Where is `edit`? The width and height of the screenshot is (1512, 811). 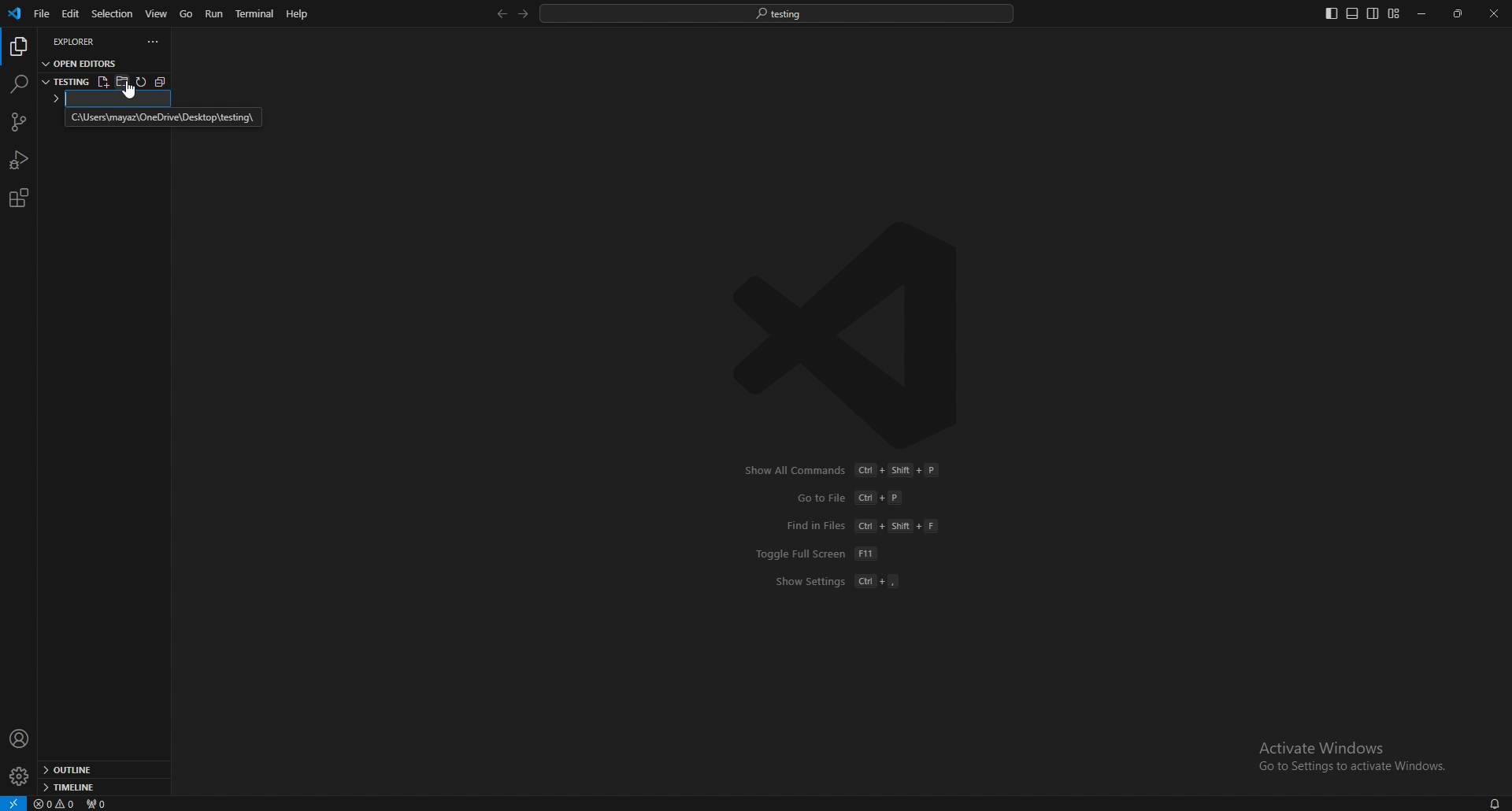
edit is located at coordinates (69, 14).